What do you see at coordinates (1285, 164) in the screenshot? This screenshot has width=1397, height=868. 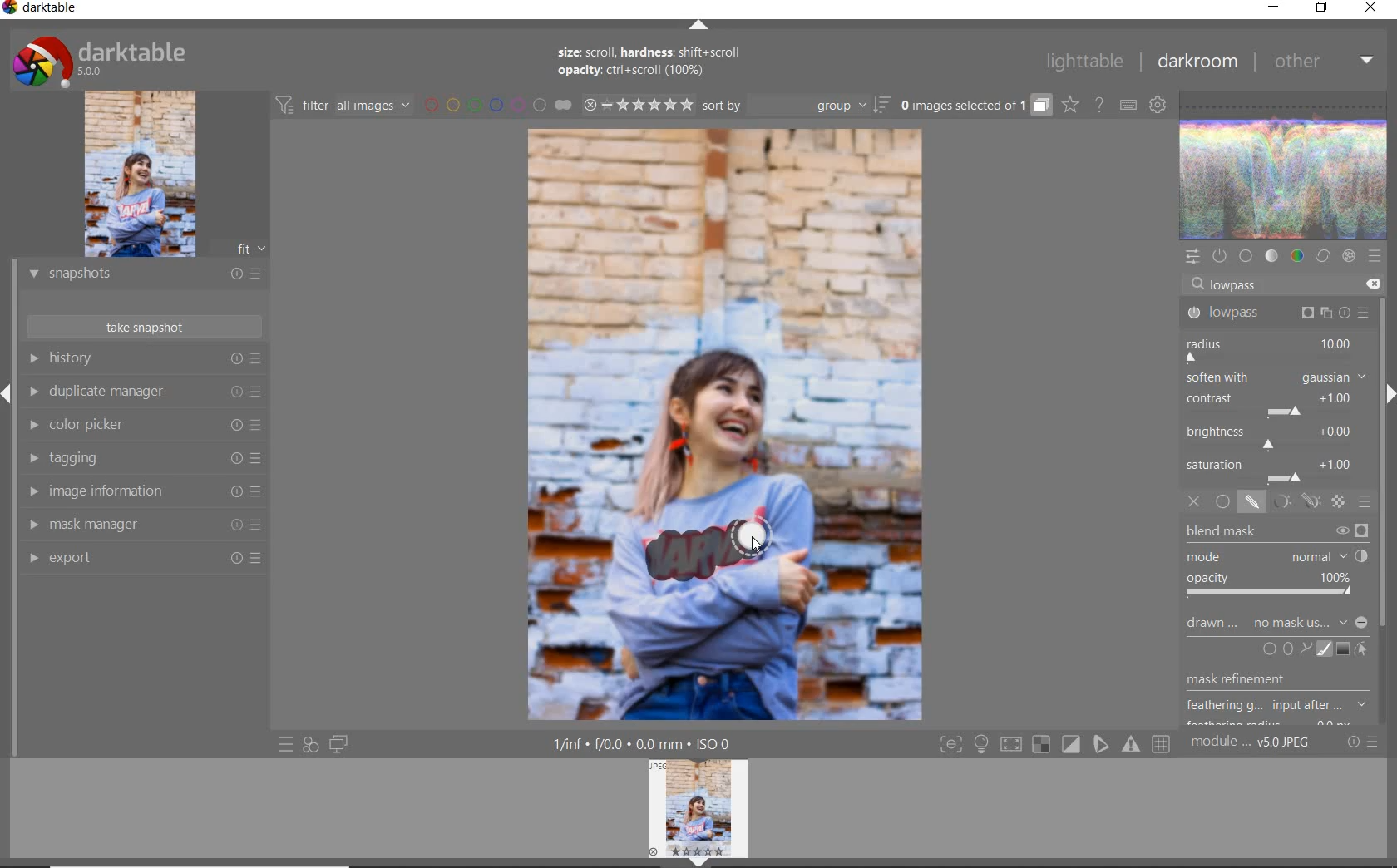 I see `waveform` at bounding box center [1285, 164].